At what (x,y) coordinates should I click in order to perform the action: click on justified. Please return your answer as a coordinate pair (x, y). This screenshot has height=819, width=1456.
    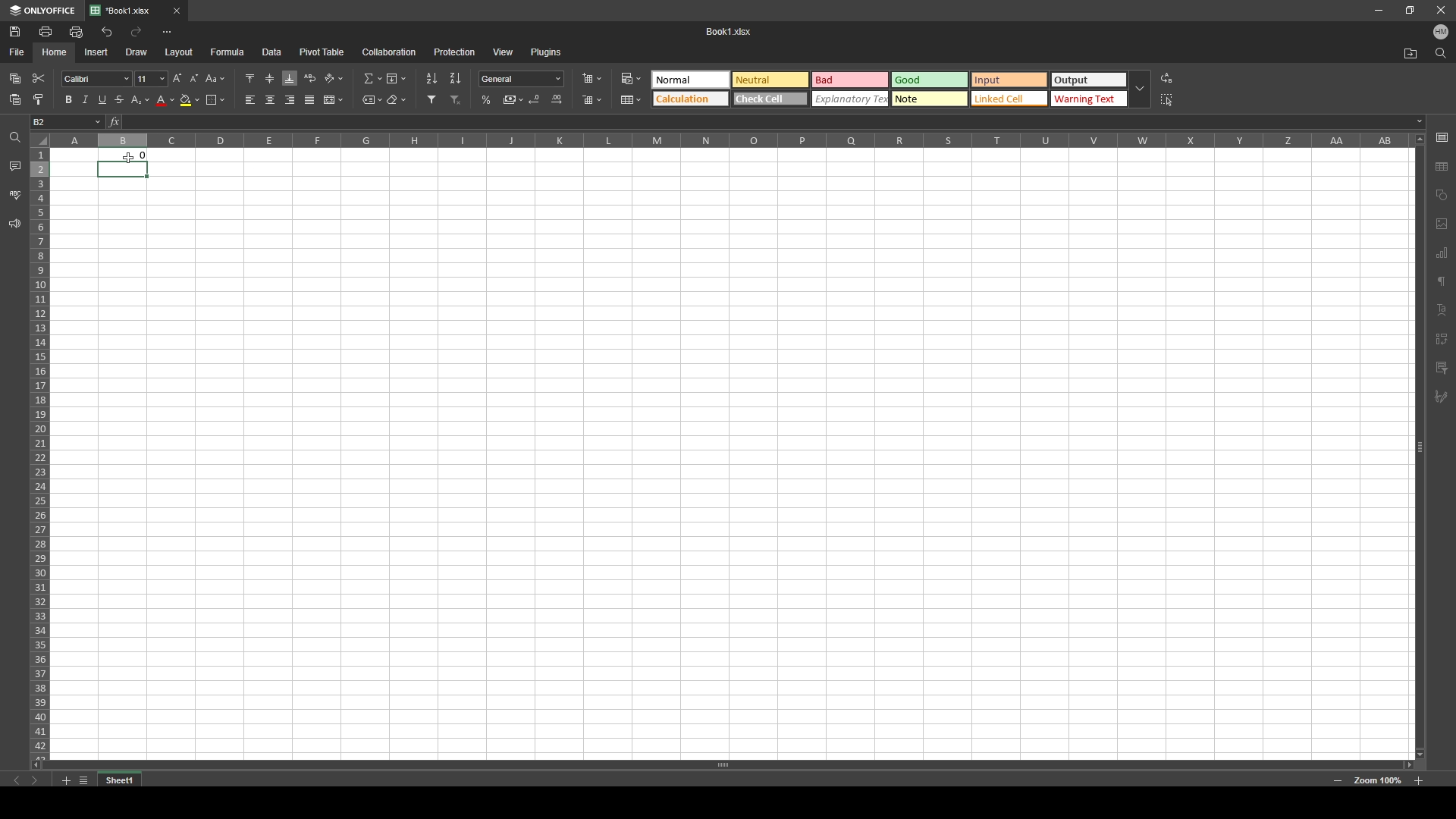
    Looking at the image, I should click on (310, 101).